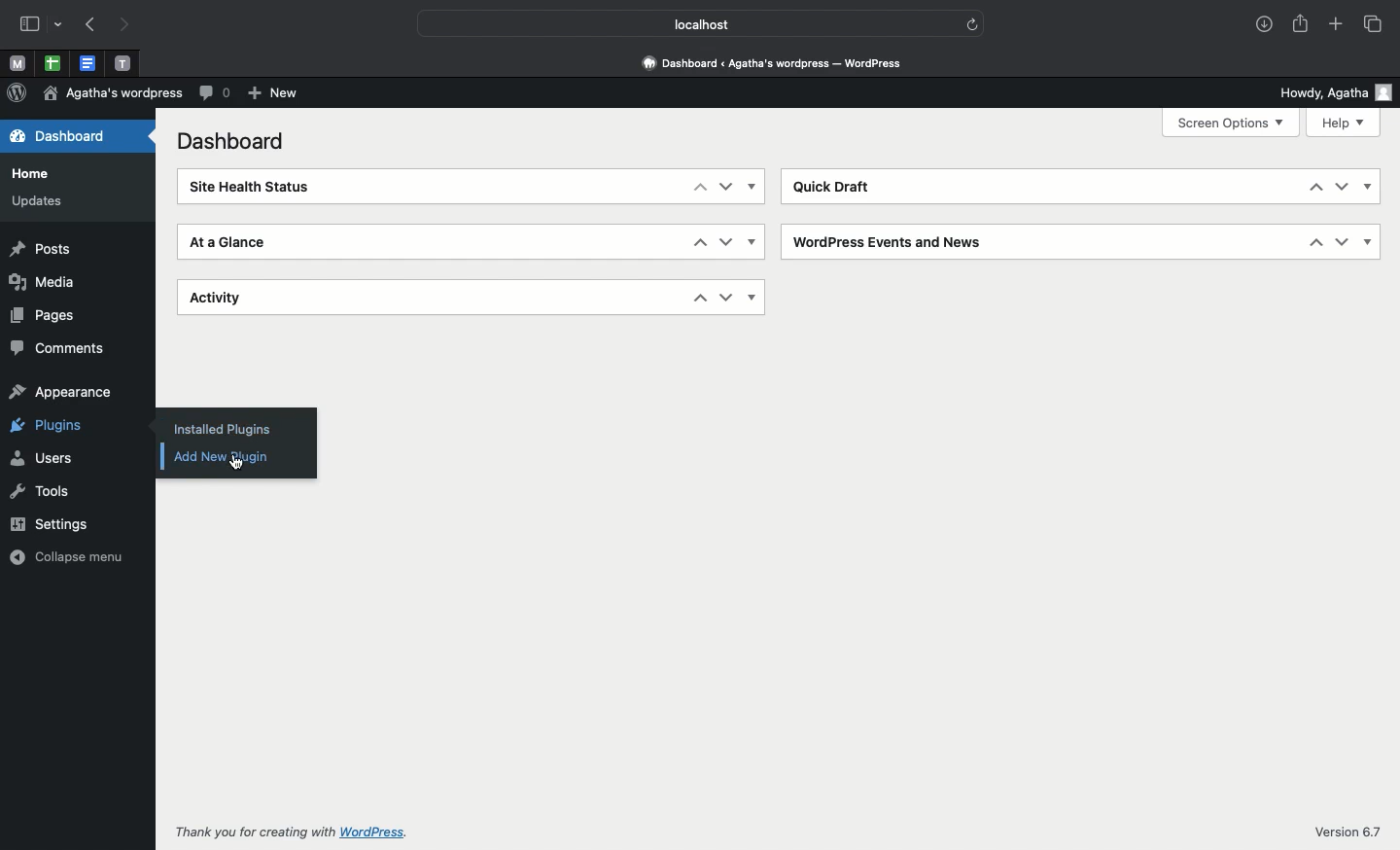  I want to click on Add new plugin, so click(224, 457).